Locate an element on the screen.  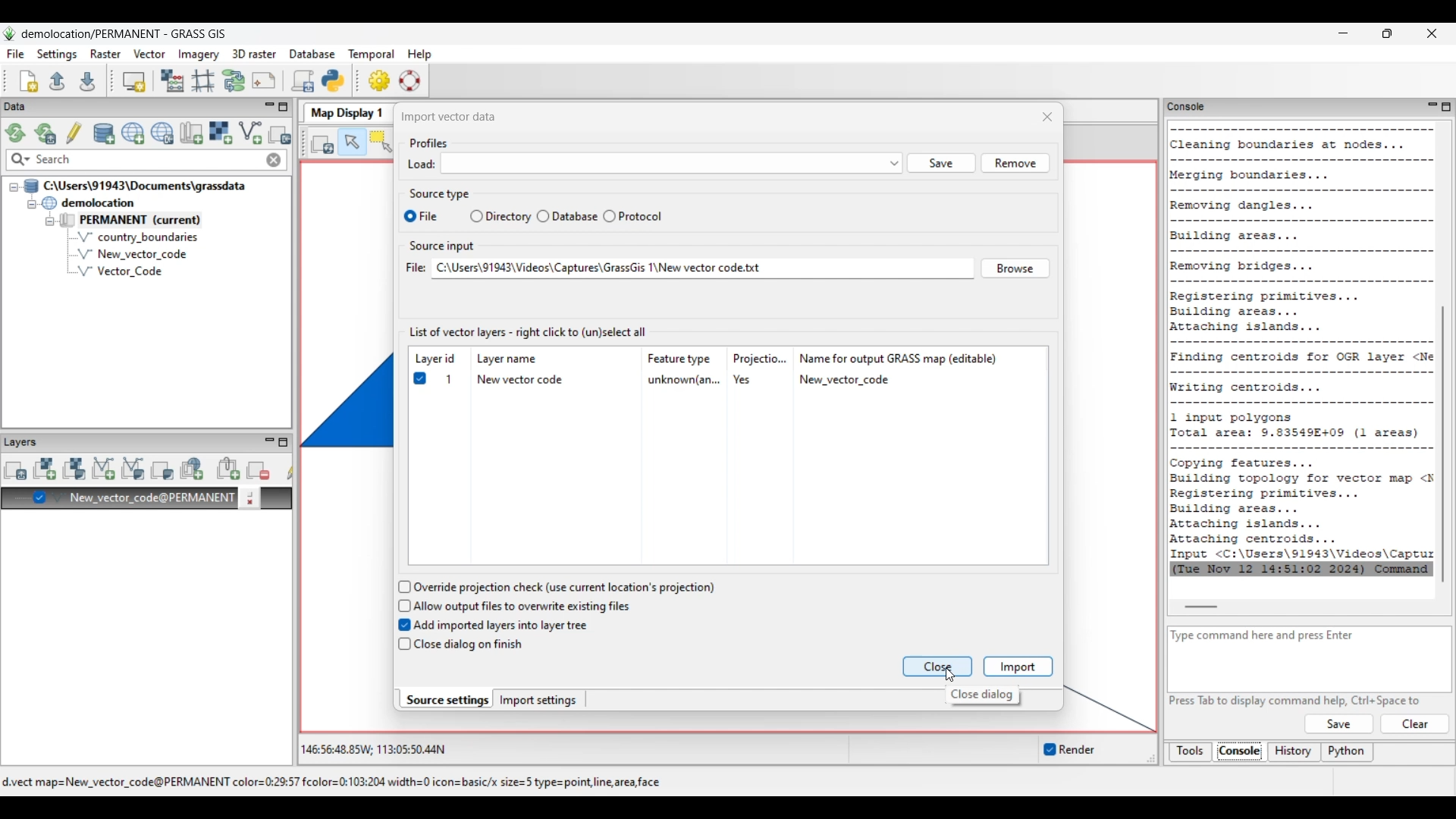
3D raster menu is located at coordinates (254, 53).